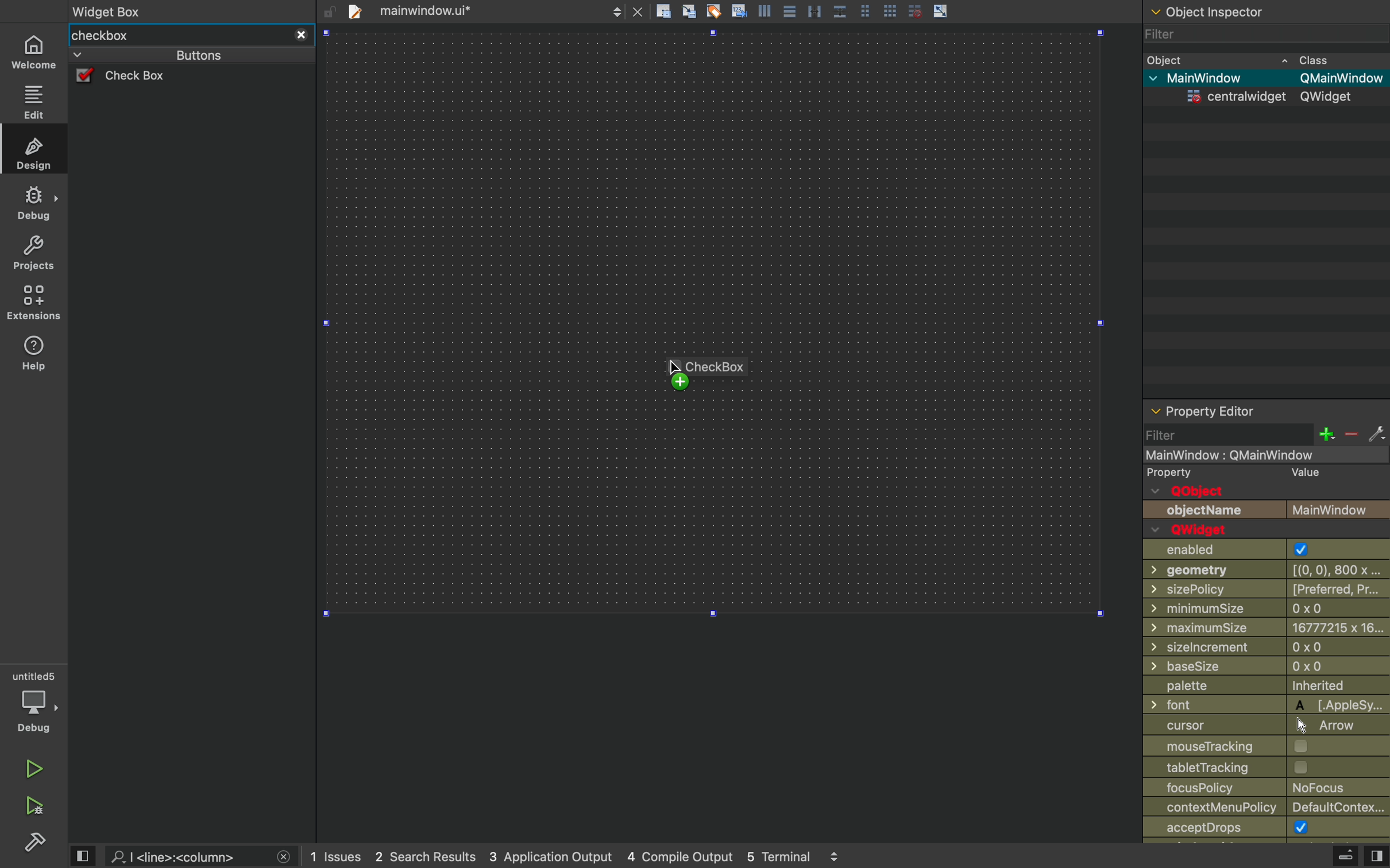  I want to click on object, so click(1249, 59).